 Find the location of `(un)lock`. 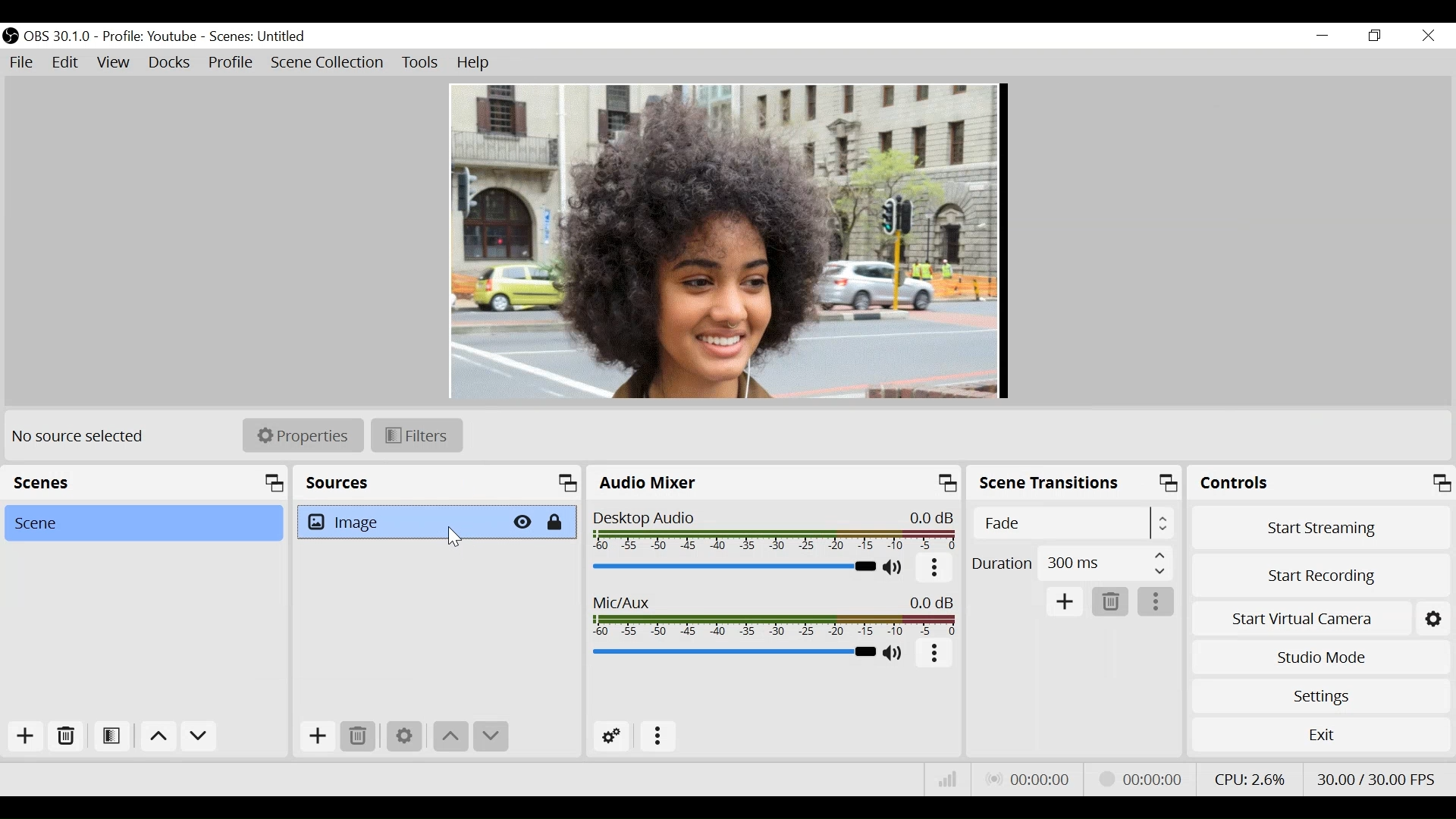

(un)lock is located at coordinates (559, 522).